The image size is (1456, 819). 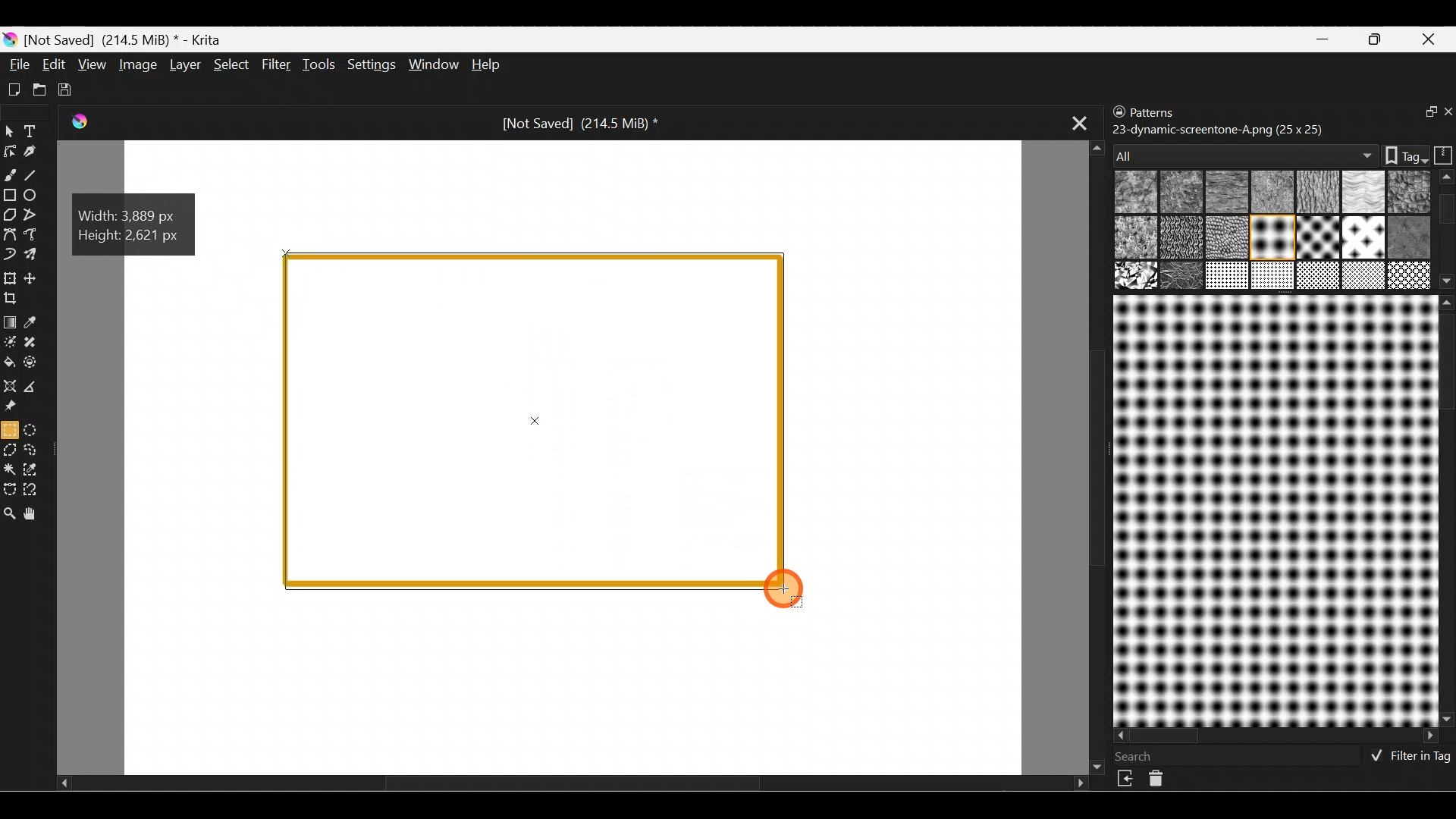 What do you see at coordinates (92, 63) in the screenshot?
I see `View` at bounding box center [92, 63].